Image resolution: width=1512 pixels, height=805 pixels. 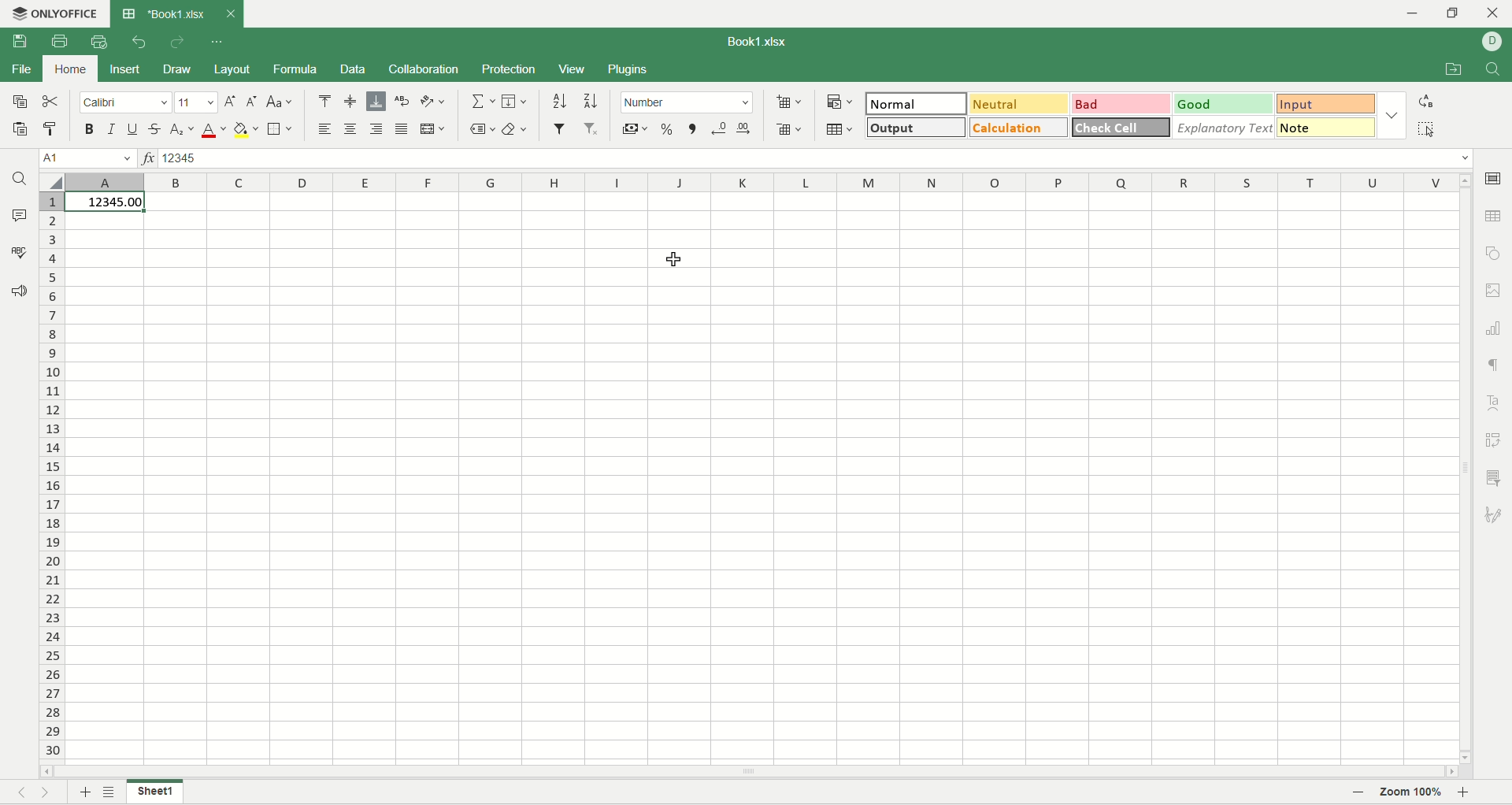 What do you see at coordinates (328, 130) in the screenshot?
I see `align left` at bounding box center [328, 130].